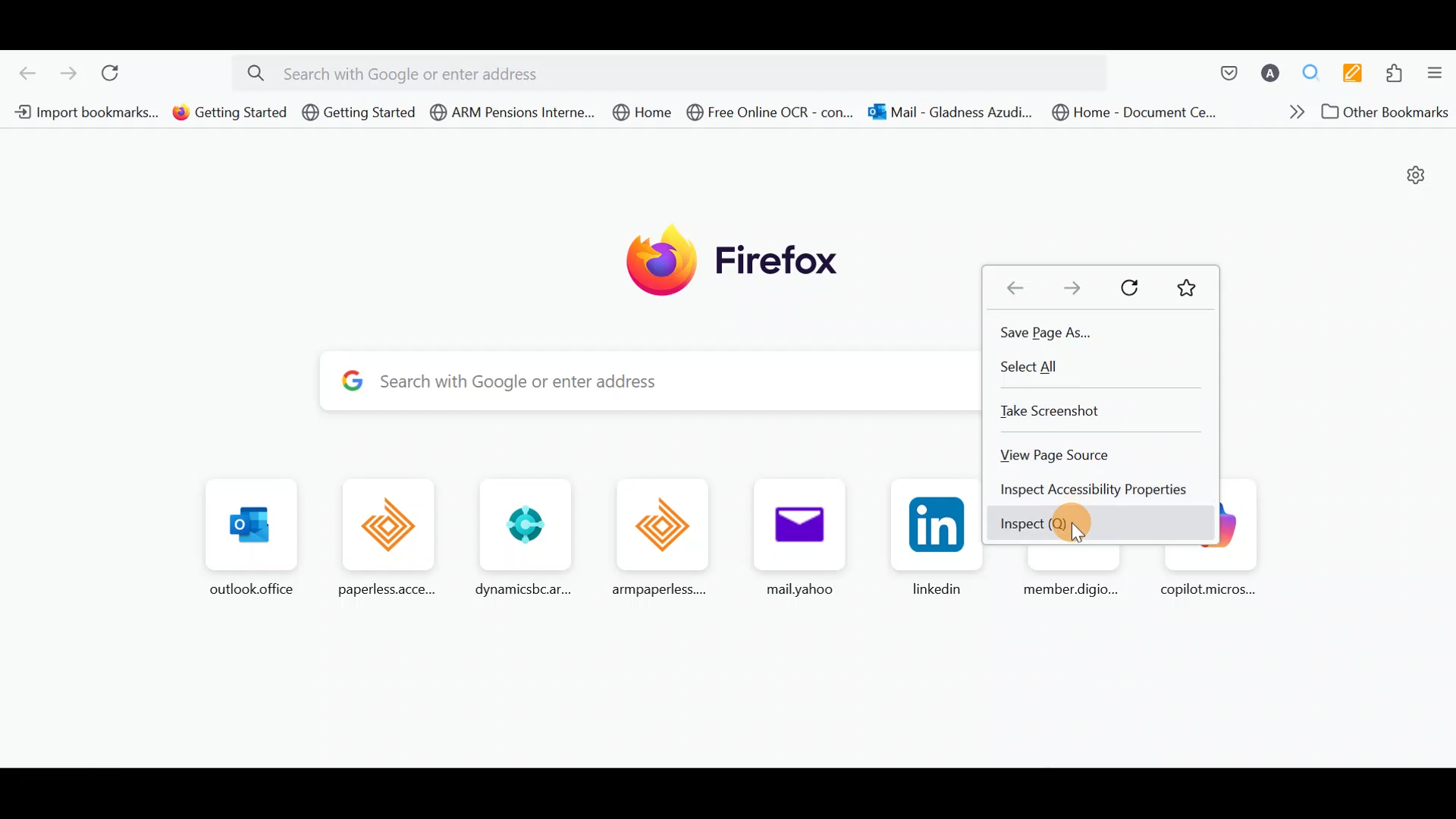 Image resolution: width=1456 pixels, height=819 pixels. What do you see at coordinates (1352, 70) in the screenshot?
I see `Multi keywords highlighter` at bounding box center [1352, 70].